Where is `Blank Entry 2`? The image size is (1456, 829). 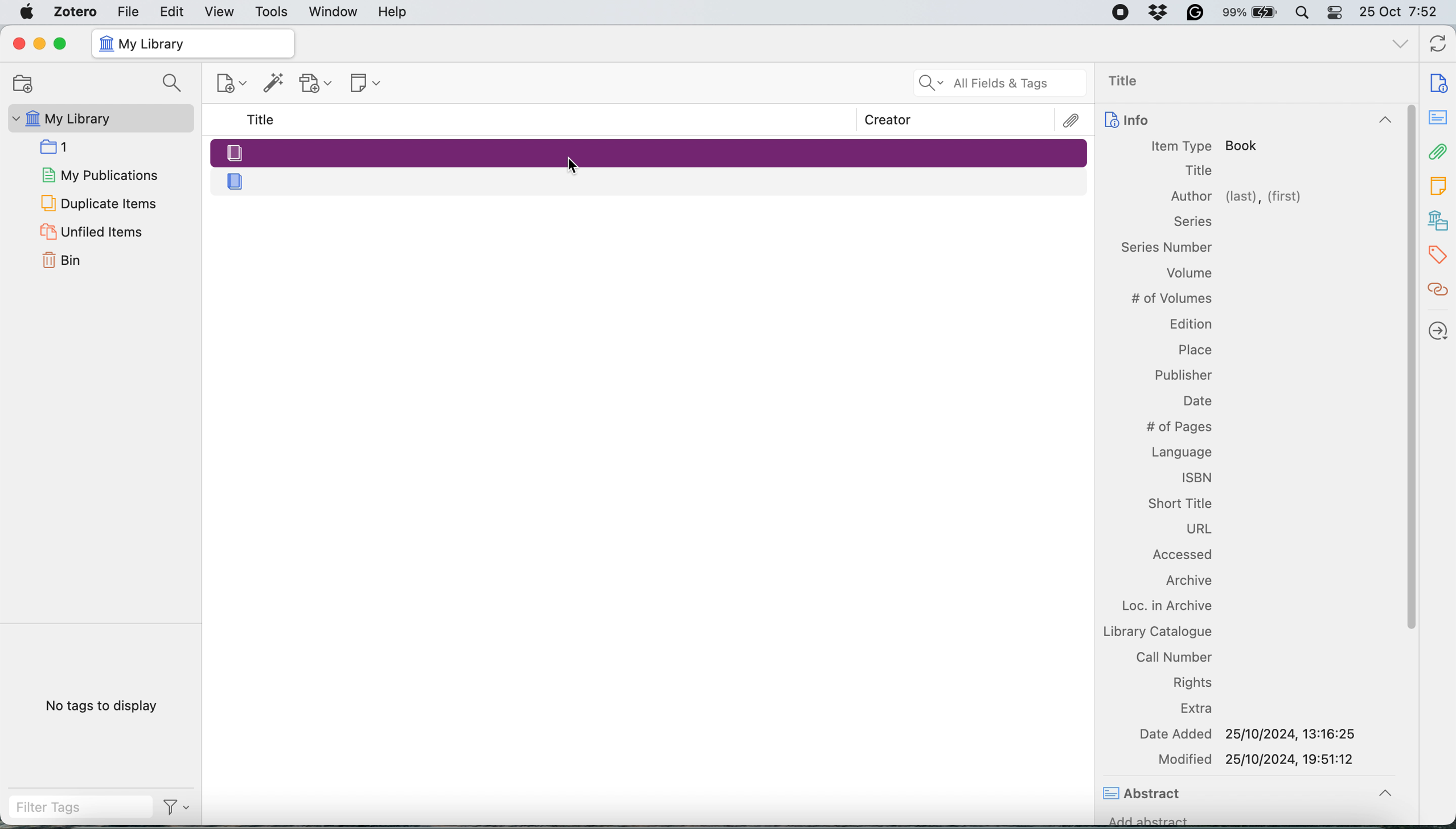 Blank Entry 2 is located at coordinates (651, 180).